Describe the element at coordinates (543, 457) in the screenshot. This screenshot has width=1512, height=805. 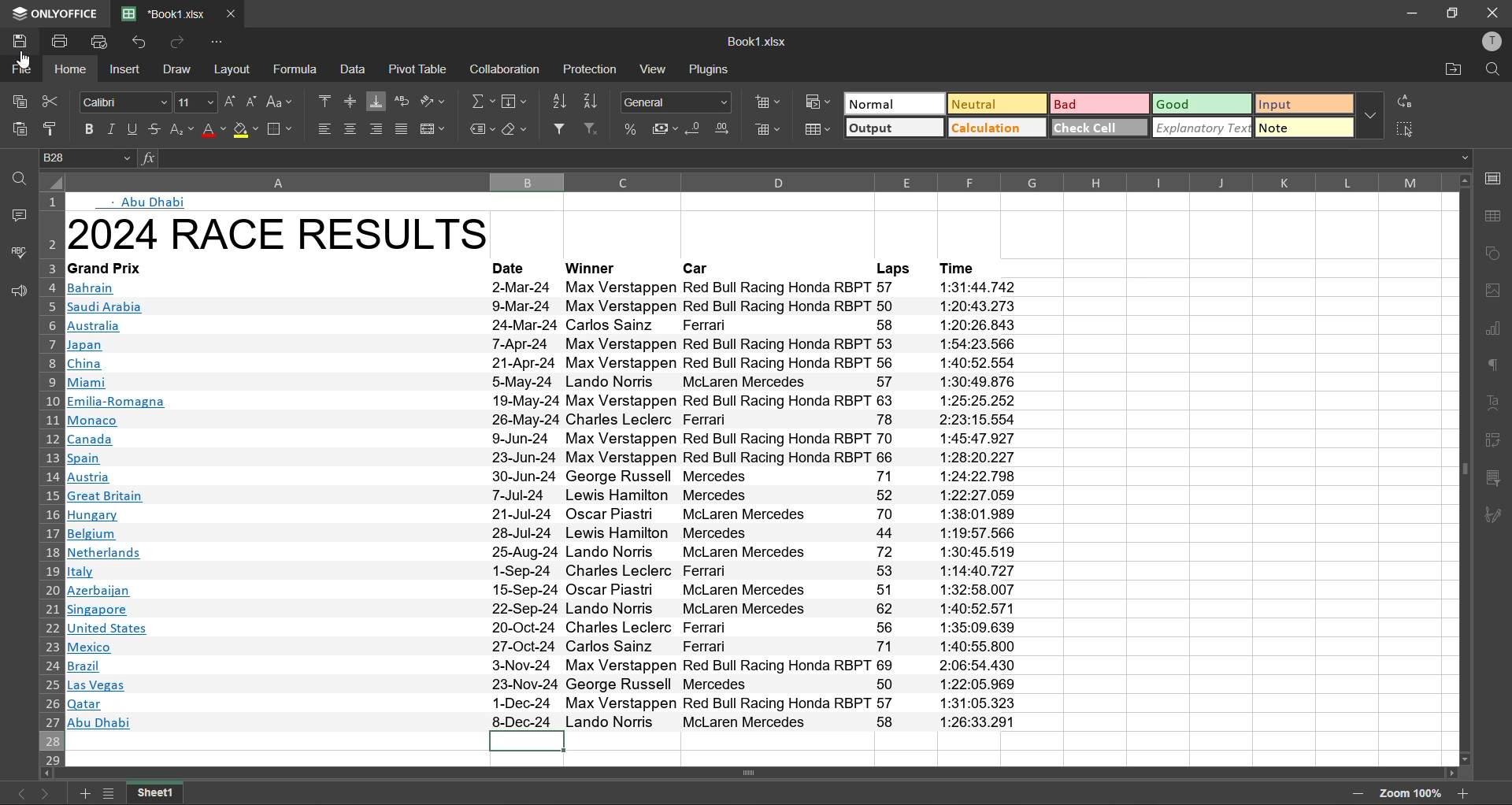
I see `spain 23-Jun-24 Max Verstappen Red Bull Racing Honda RBPT 66 1:28:20.227` at that location.